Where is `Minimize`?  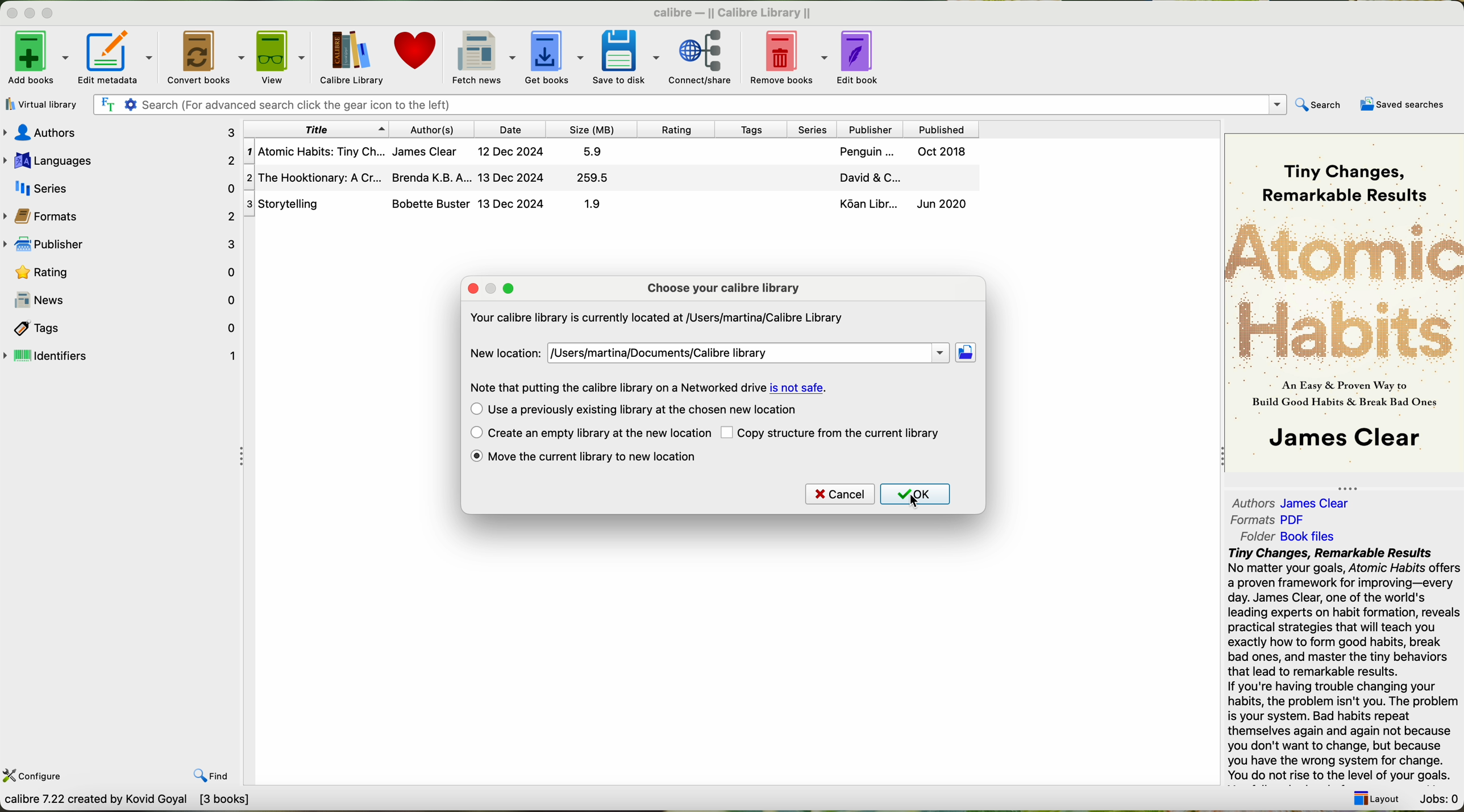 Minimize is located at coordinates (31, 14).